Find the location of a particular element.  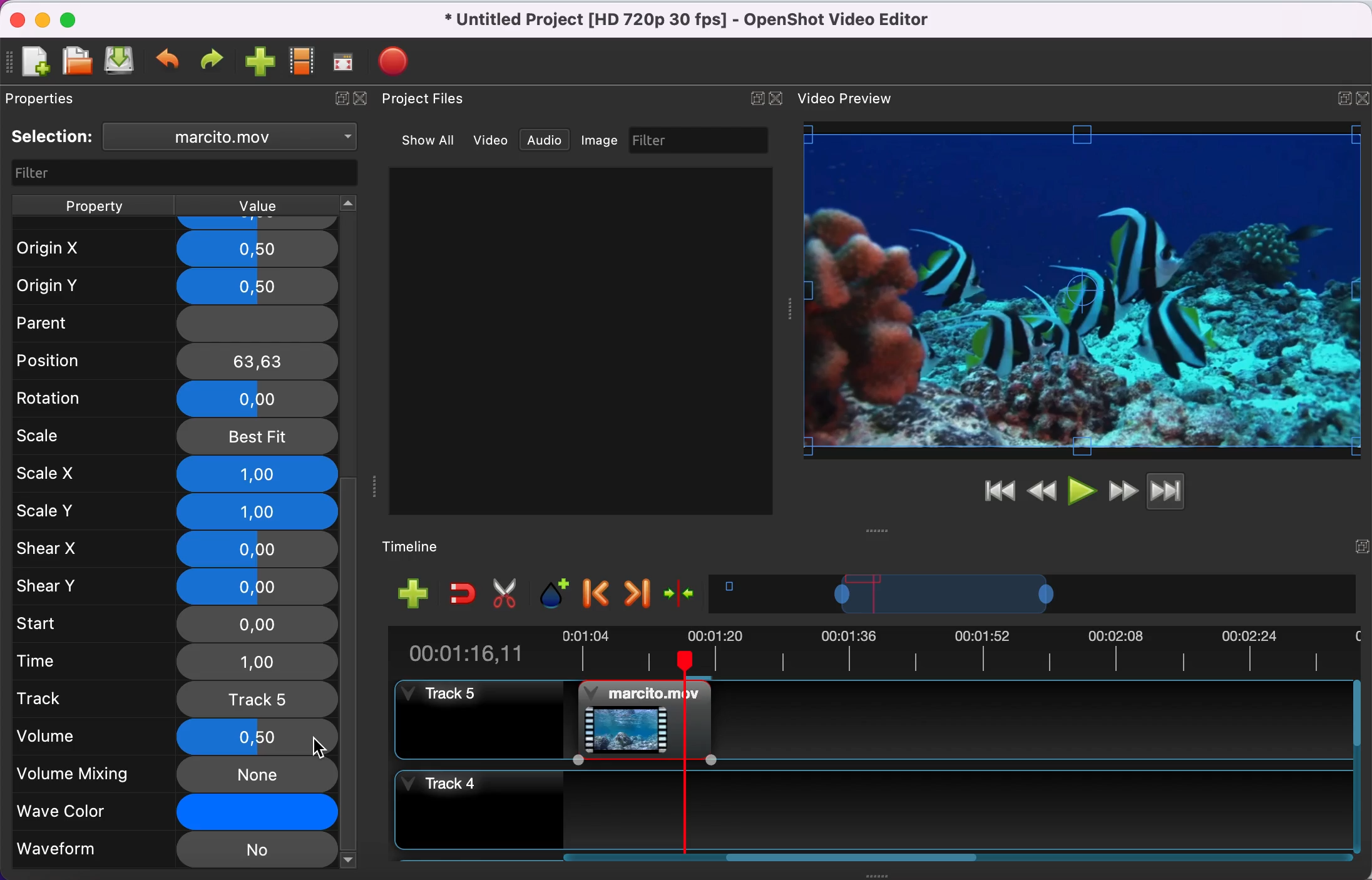

redo is located at coordinates (215, 61).